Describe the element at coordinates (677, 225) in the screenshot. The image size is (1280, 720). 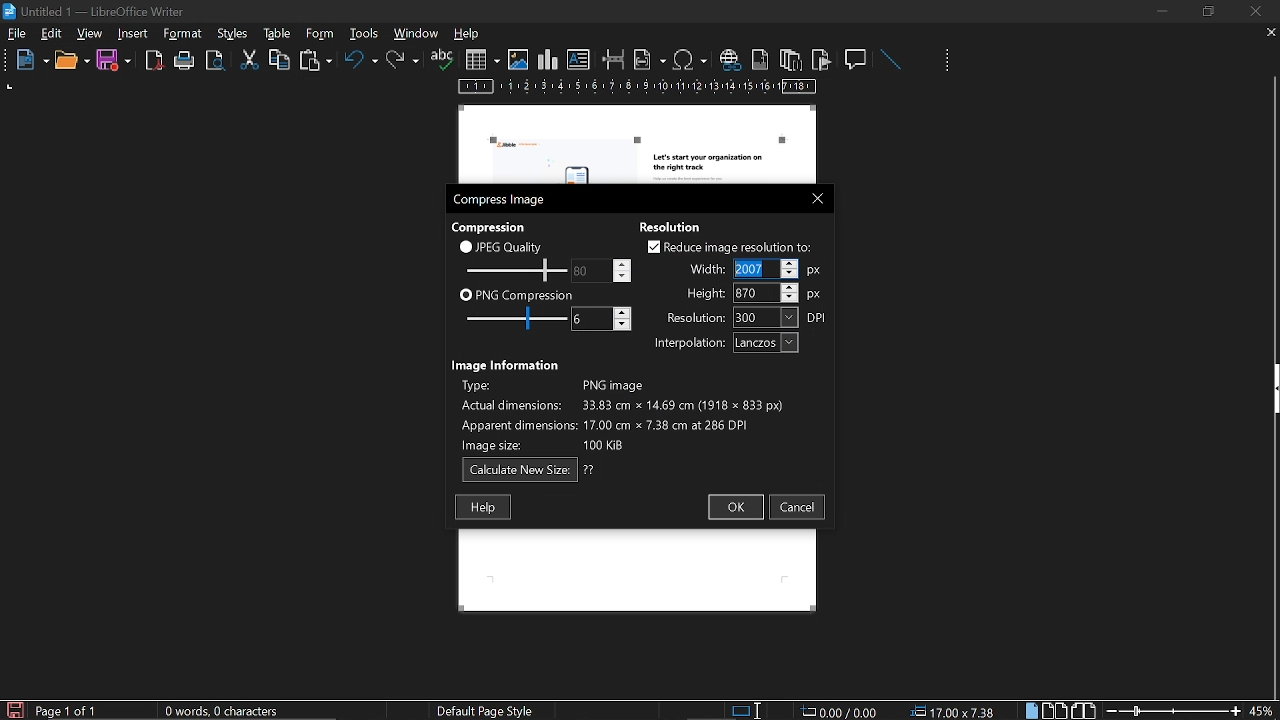
I see `Resolution` at that location.